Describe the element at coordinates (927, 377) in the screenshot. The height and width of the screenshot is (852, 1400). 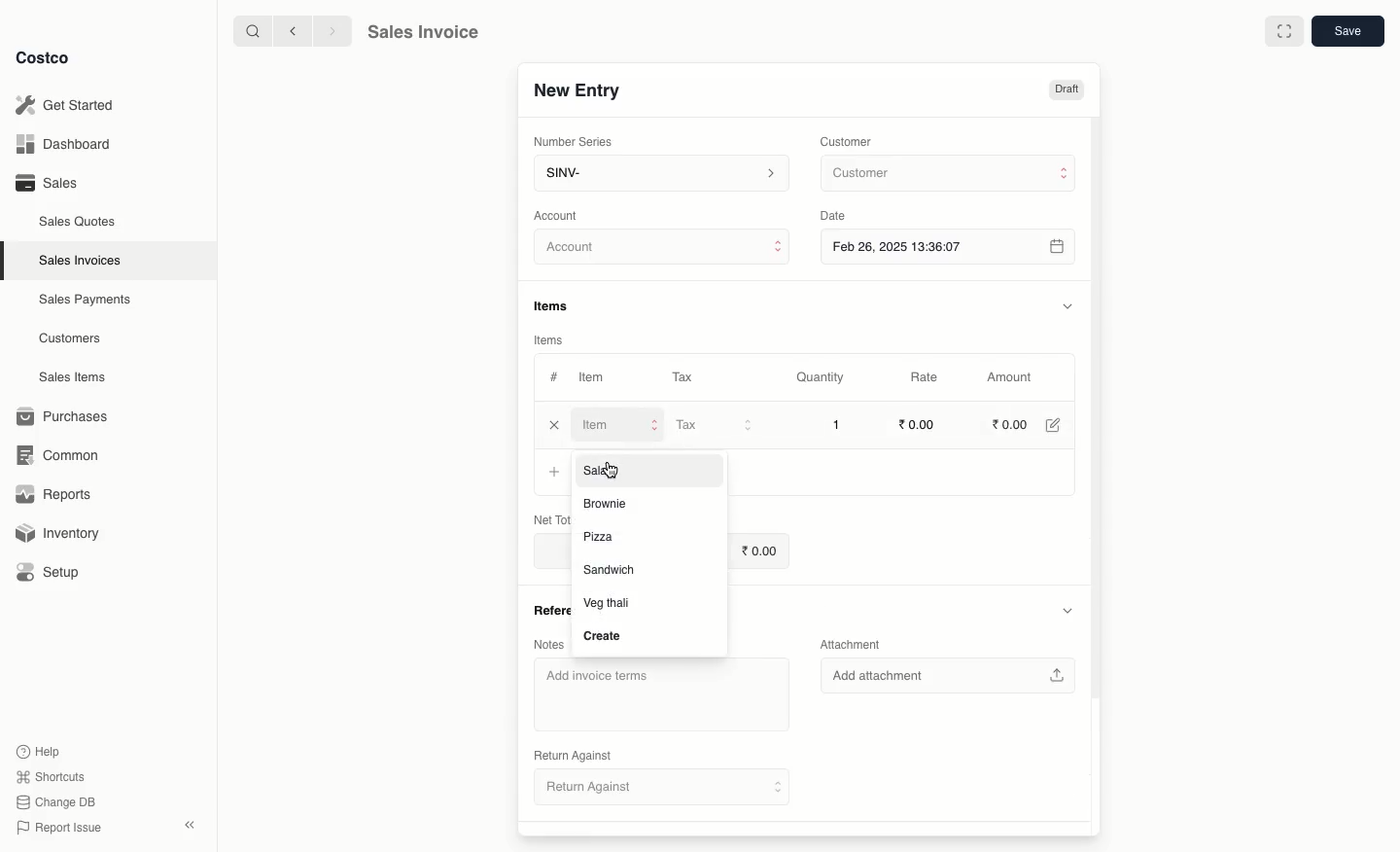
I see `Rate` at that location.